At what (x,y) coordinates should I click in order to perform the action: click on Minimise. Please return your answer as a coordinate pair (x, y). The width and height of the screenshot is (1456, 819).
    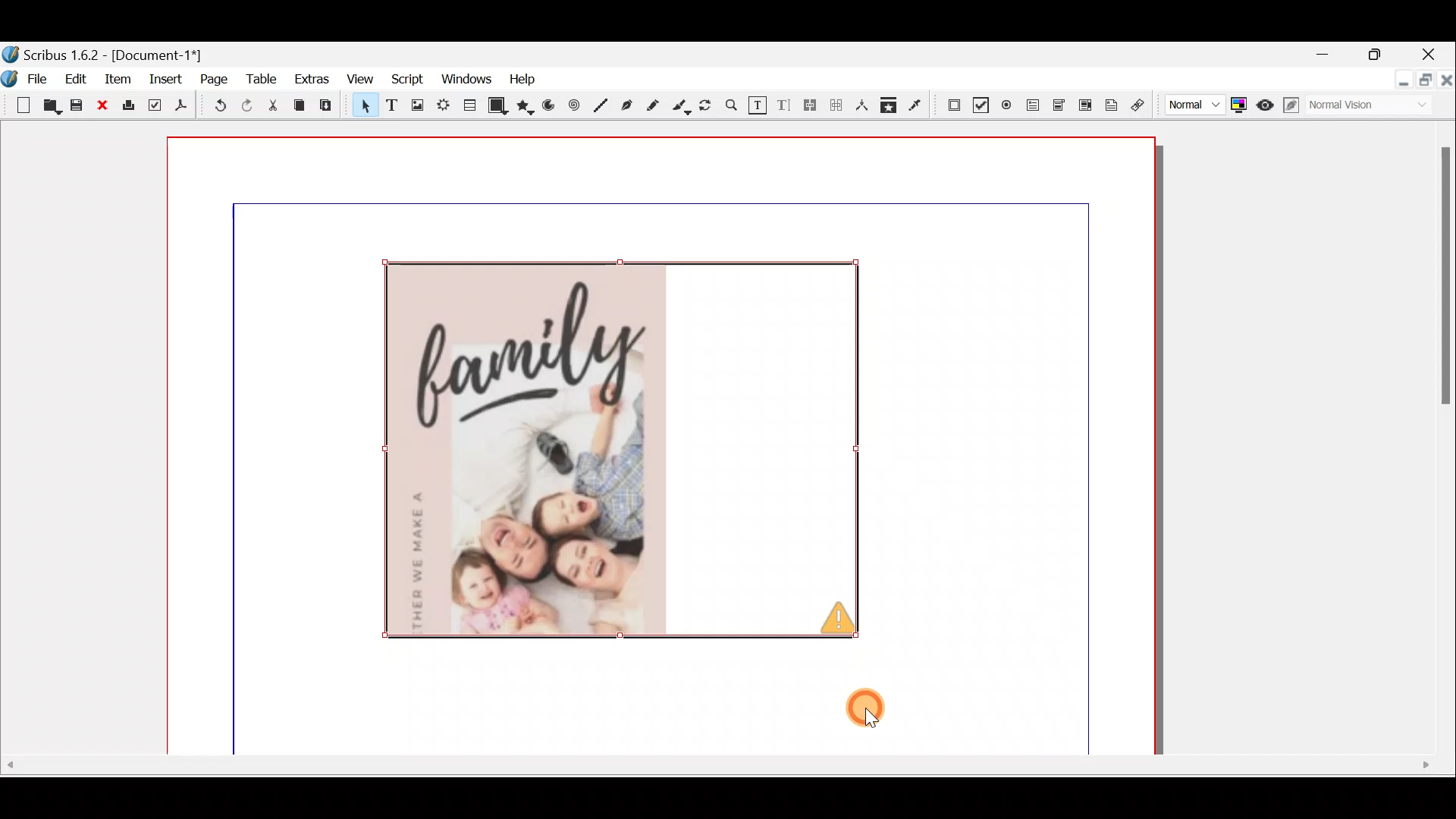
    Looking at the image, I should click on (1332, 55).